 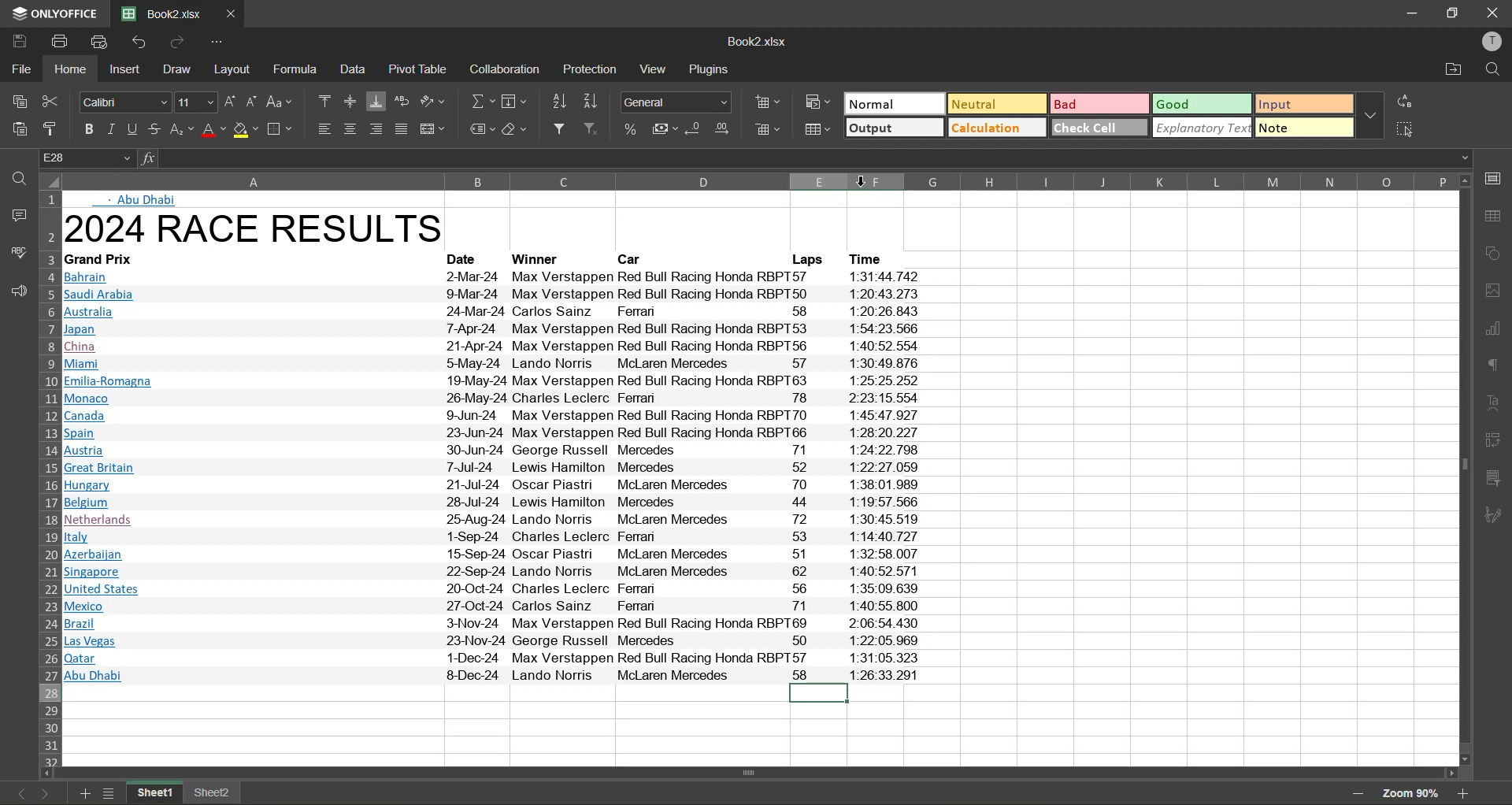 What do you see at coordinates (632, 258) in the screenshot?
I see `Car` at bounding box center [632, 258].